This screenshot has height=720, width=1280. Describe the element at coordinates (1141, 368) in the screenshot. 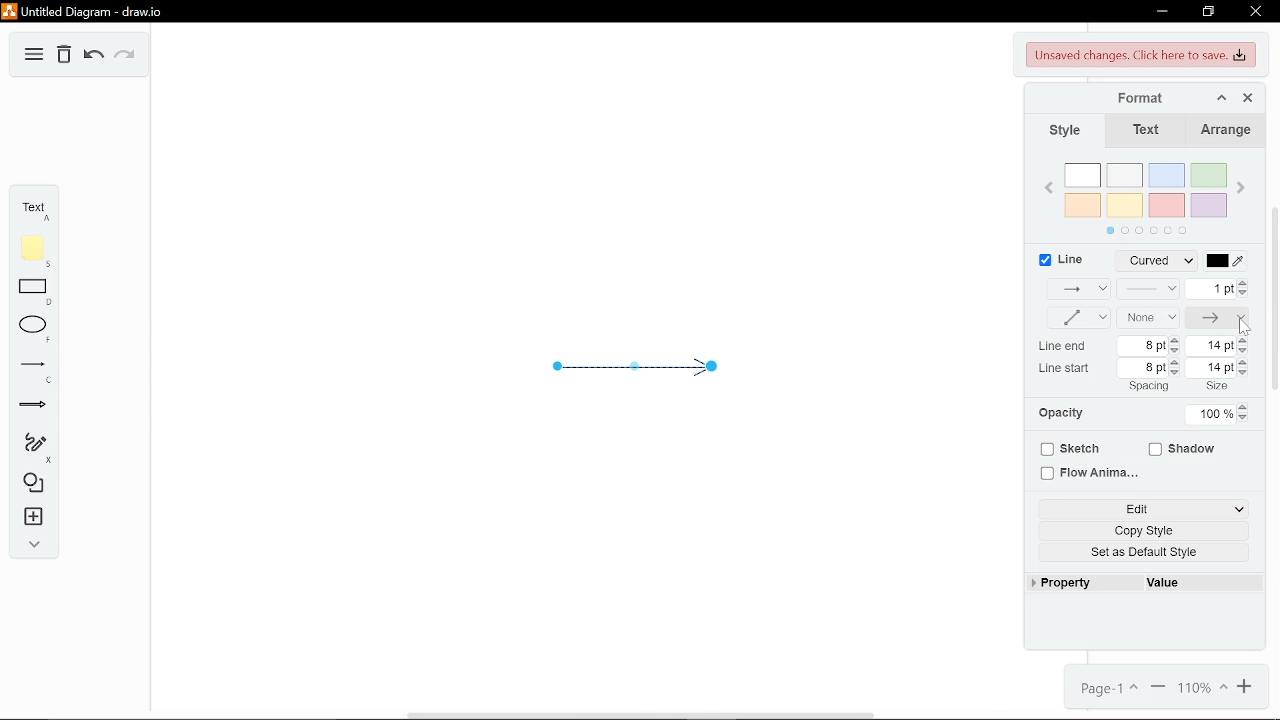

I see `Current line start spacing` at that location.